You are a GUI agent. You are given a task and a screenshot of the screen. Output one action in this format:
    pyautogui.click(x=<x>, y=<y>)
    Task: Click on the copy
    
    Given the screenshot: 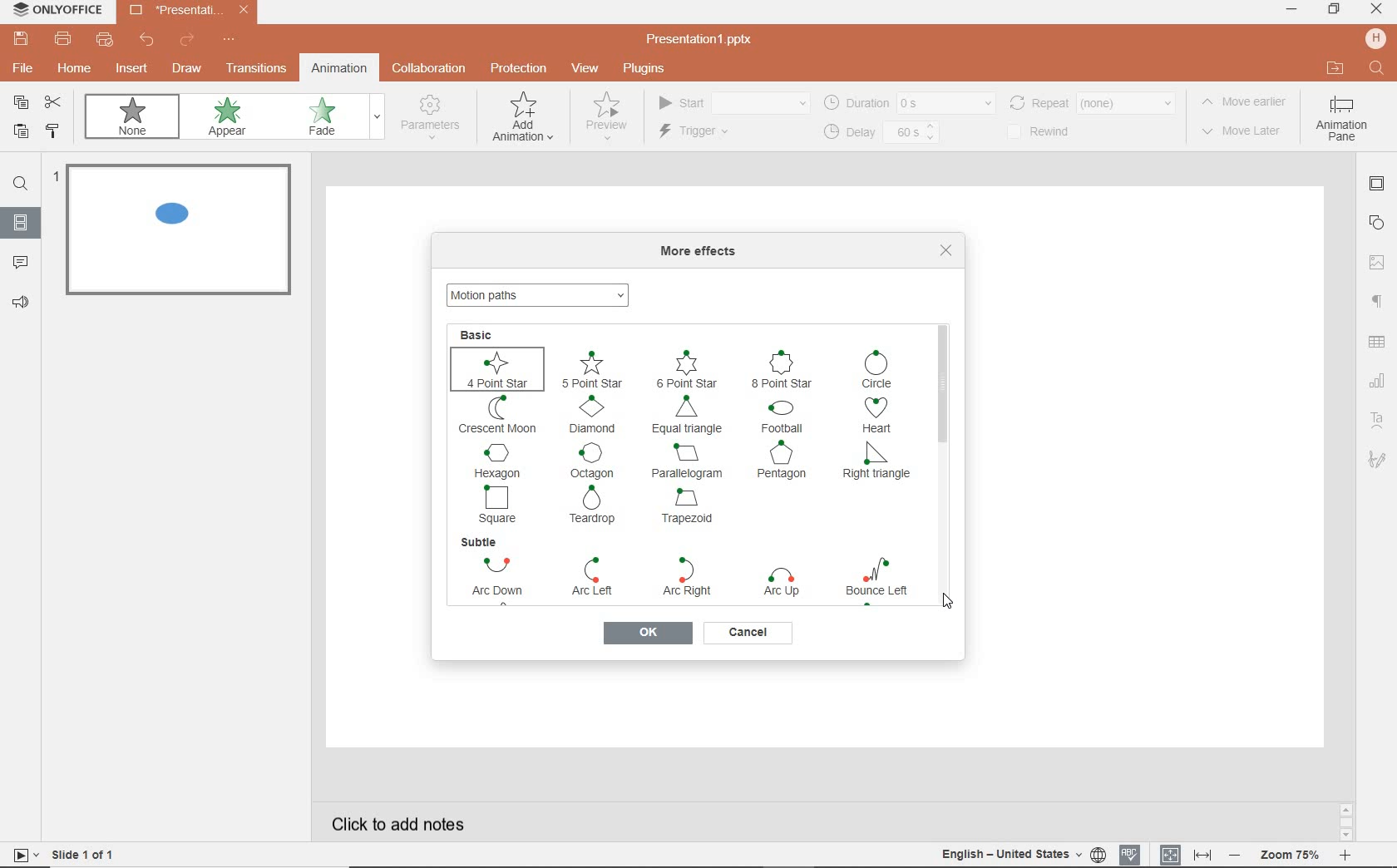 What is the action you would take?
    pyautogui.click(x=22, y=102)
    